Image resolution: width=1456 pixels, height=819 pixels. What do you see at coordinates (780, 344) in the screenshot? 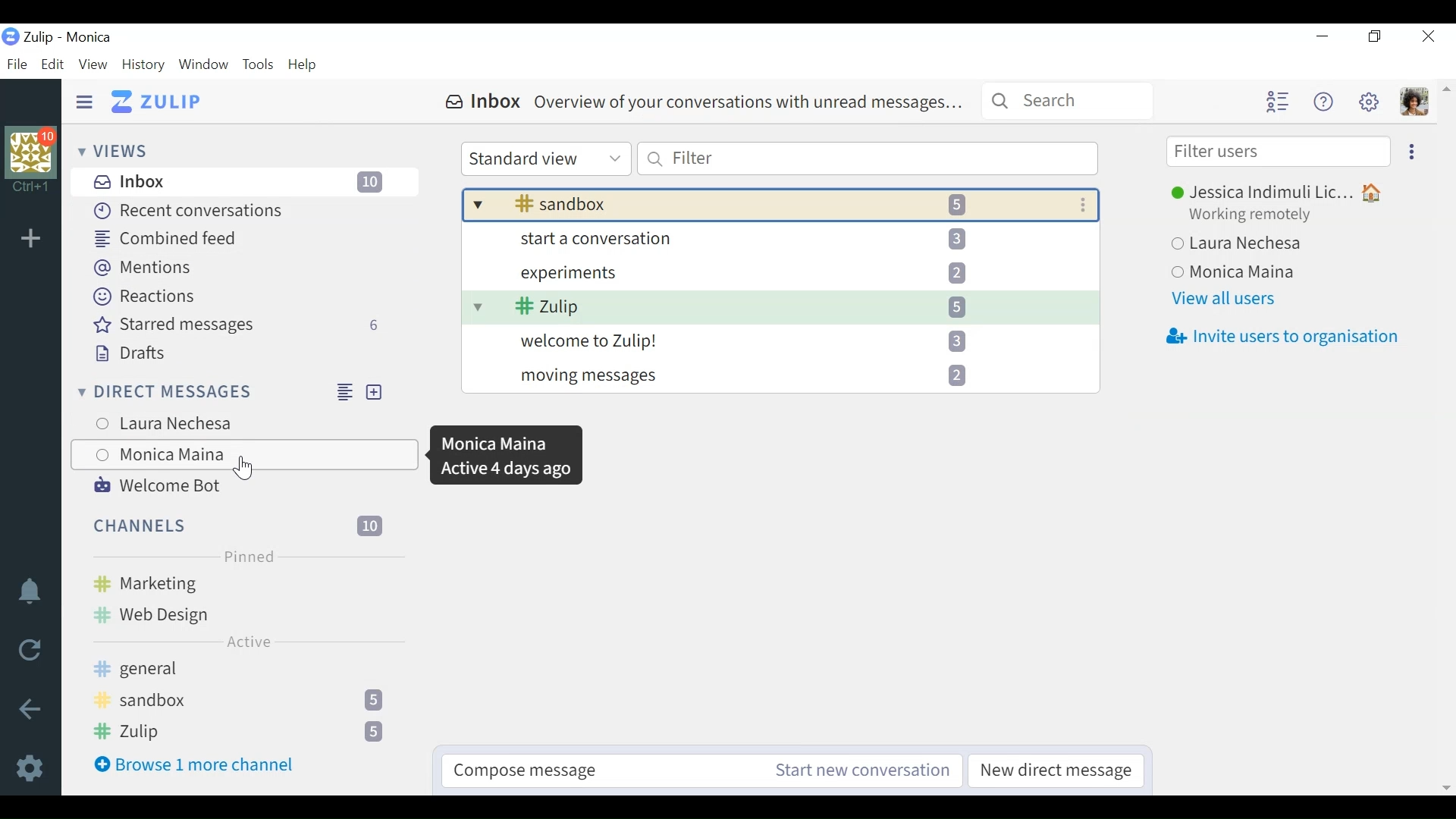
I see `welcome to Zulip!` at bounding box center [780, 344].